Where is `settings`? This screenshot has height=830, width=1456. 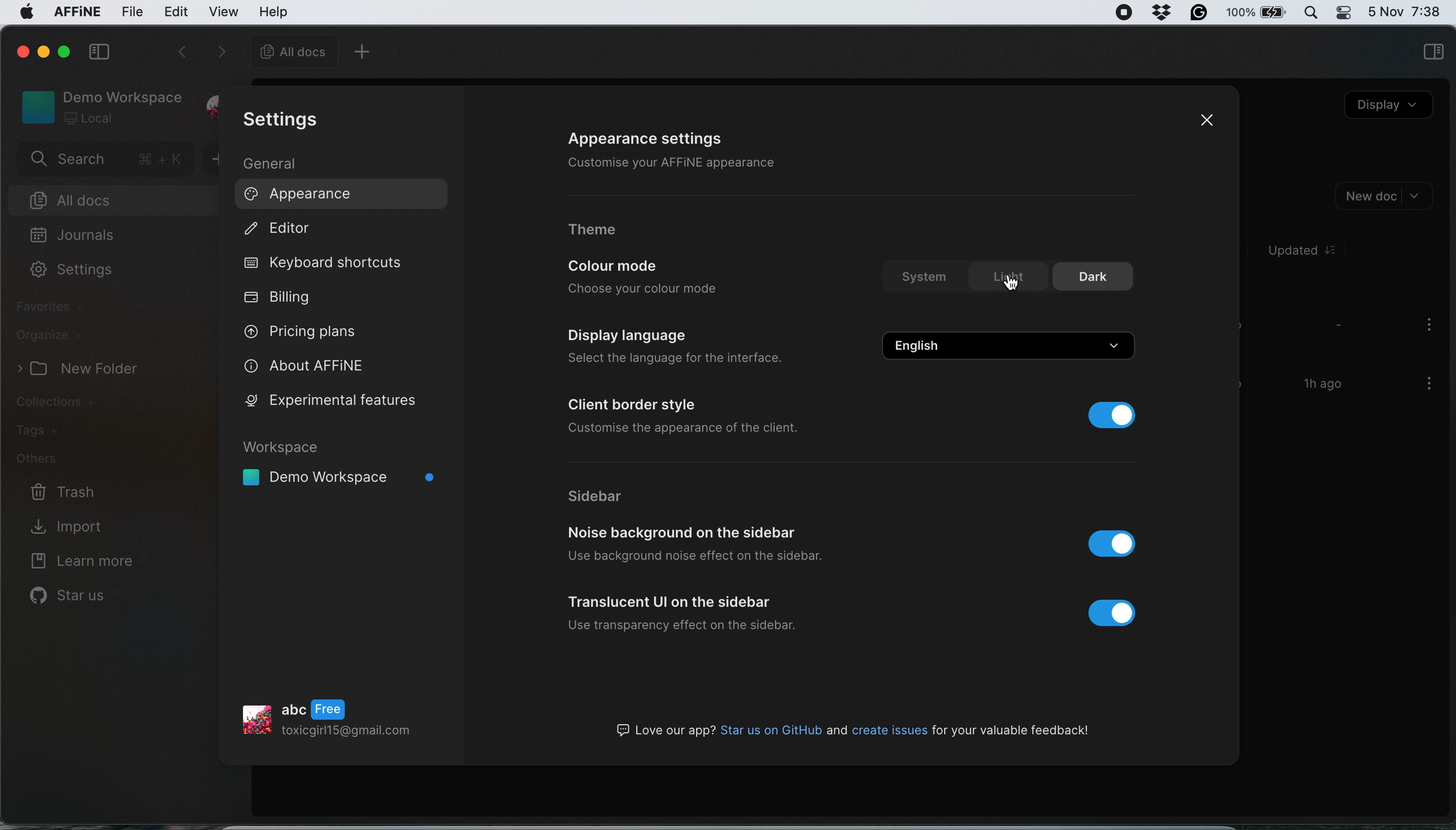
settings is located at coordinates (72, 272).